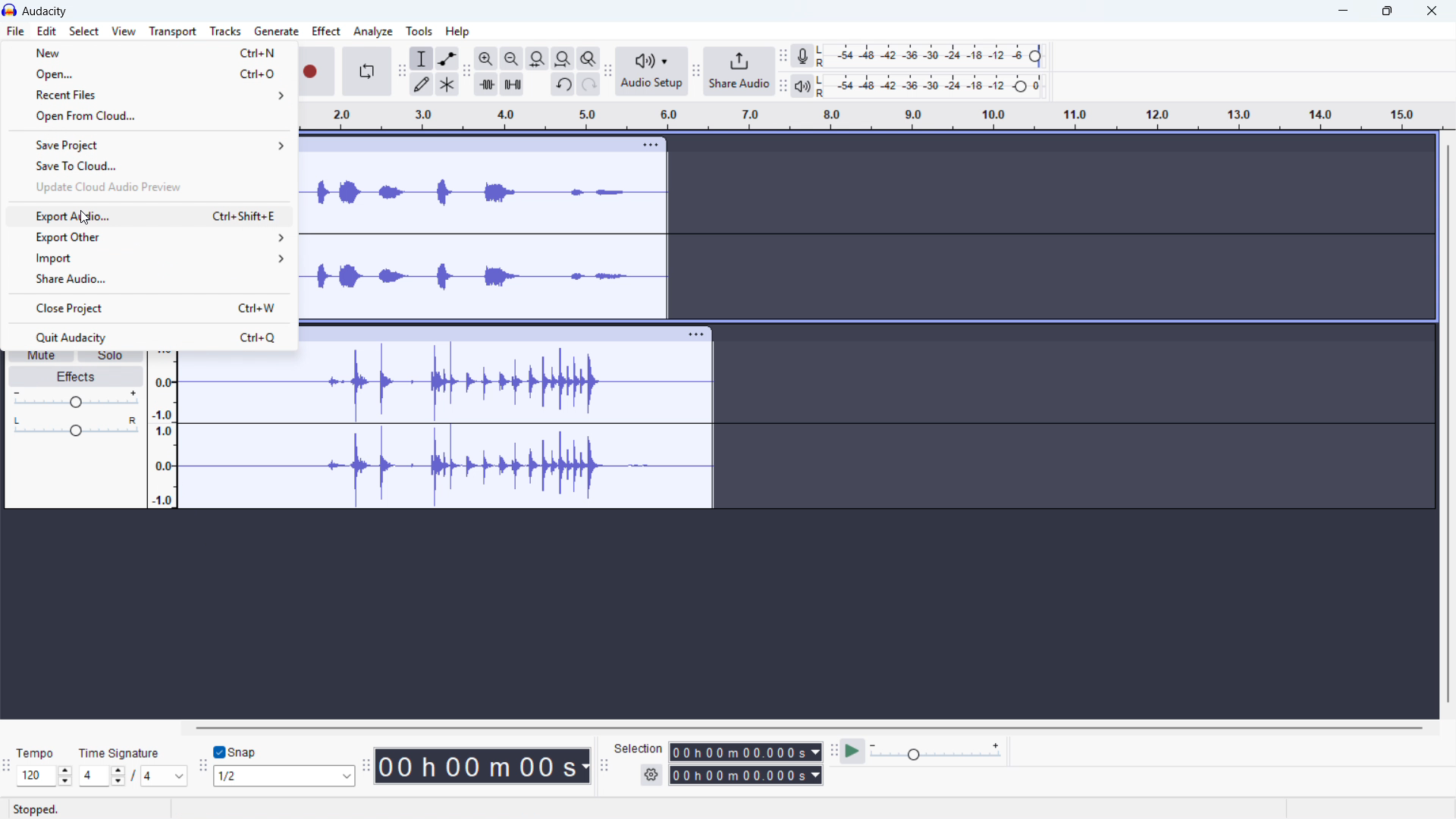 The width and height of the screenshot is (1456, 819). What do you see at coordinates (783, 56) in the screenshot?
I see `Recording metre toolbar` at bounding box center [783, 56].